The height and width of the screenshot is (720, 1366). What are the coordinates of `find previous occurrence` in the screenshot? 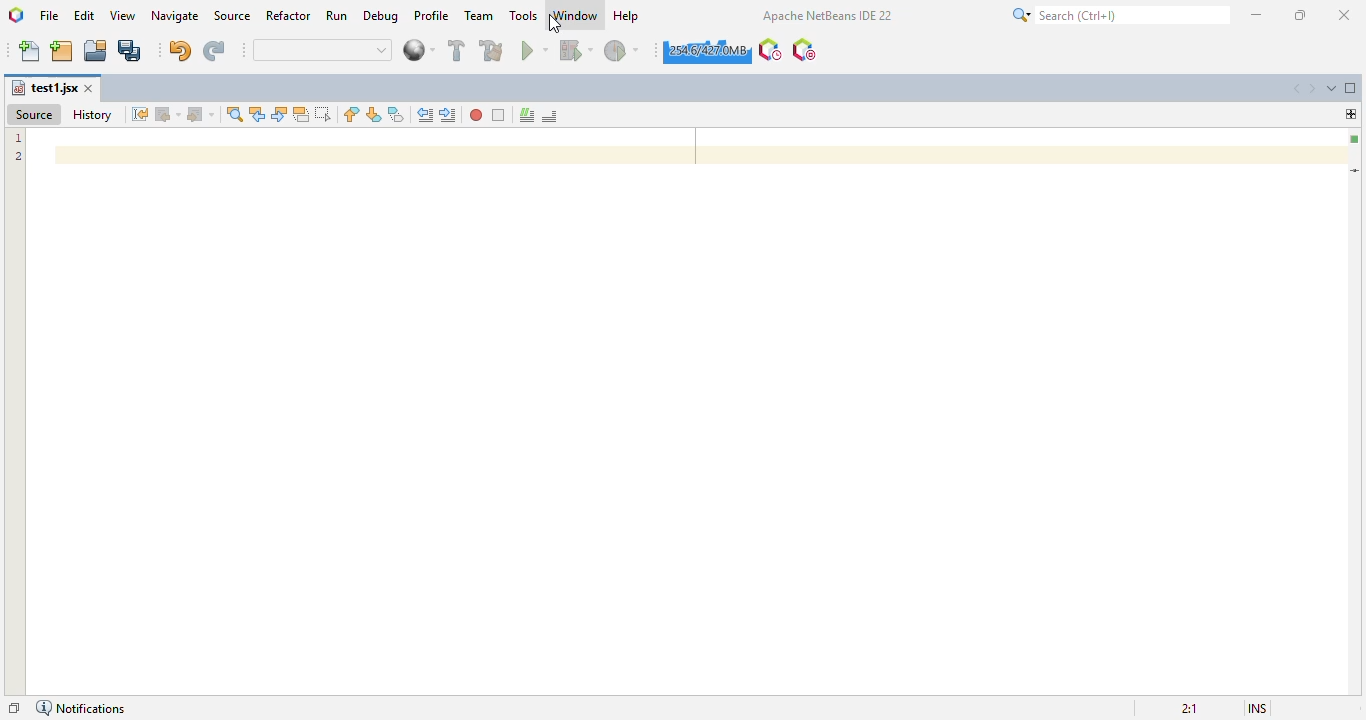 It's located at (258, 115).